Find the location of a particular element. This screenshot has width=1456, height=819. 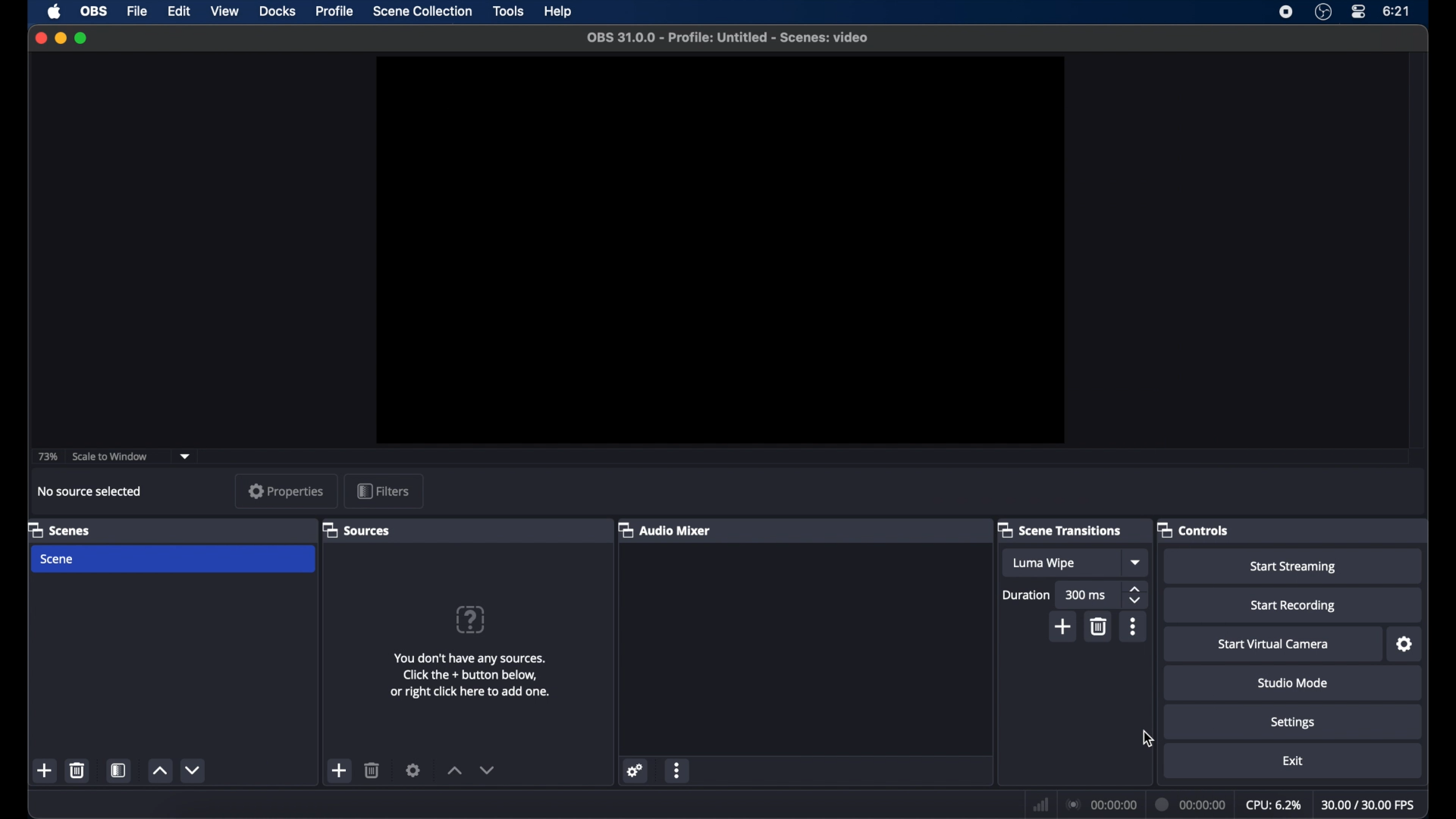

delete is located at coordinates (372, 770).